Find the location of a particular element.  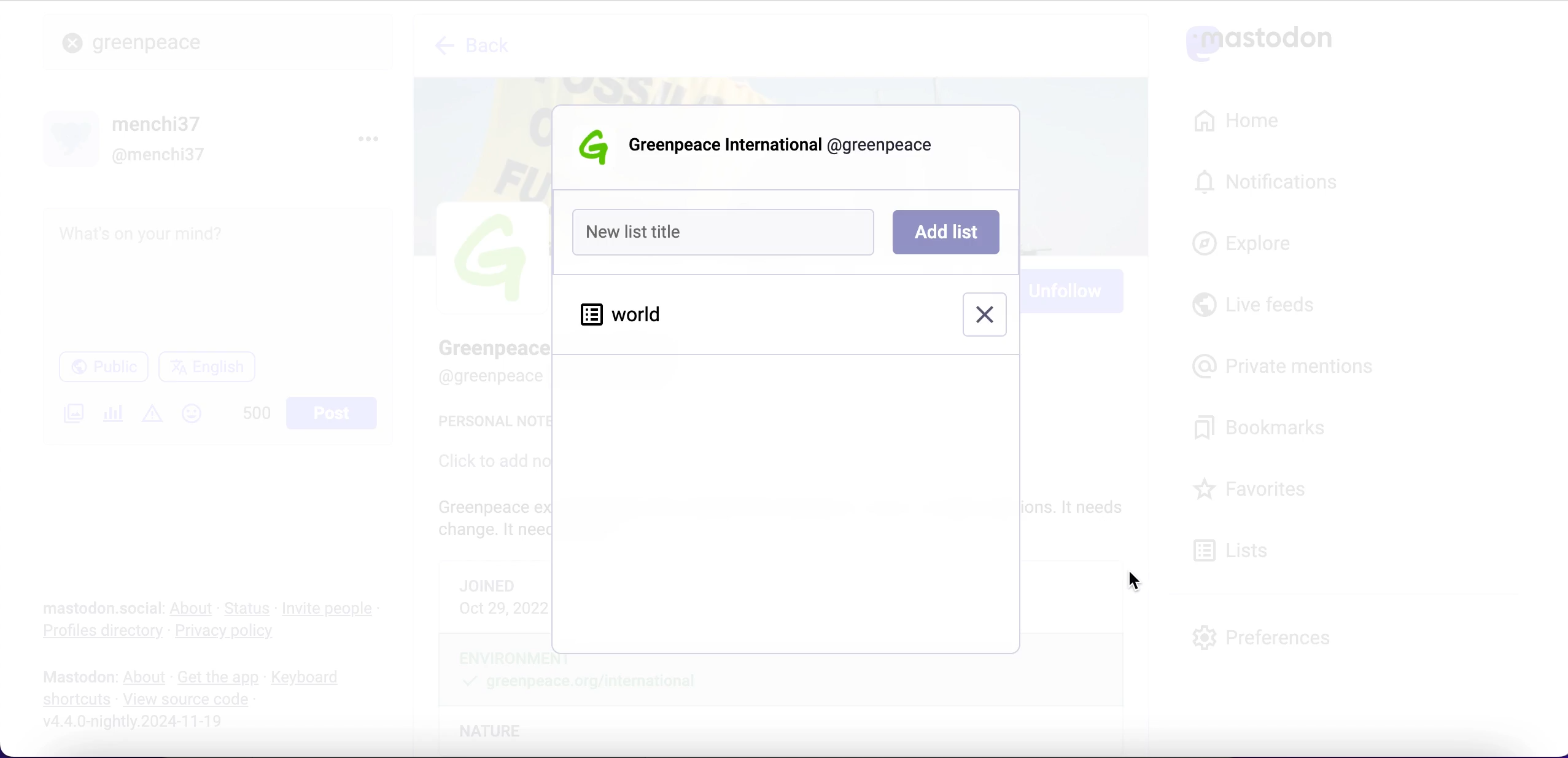

lists is located at coordinates (1238, 549).